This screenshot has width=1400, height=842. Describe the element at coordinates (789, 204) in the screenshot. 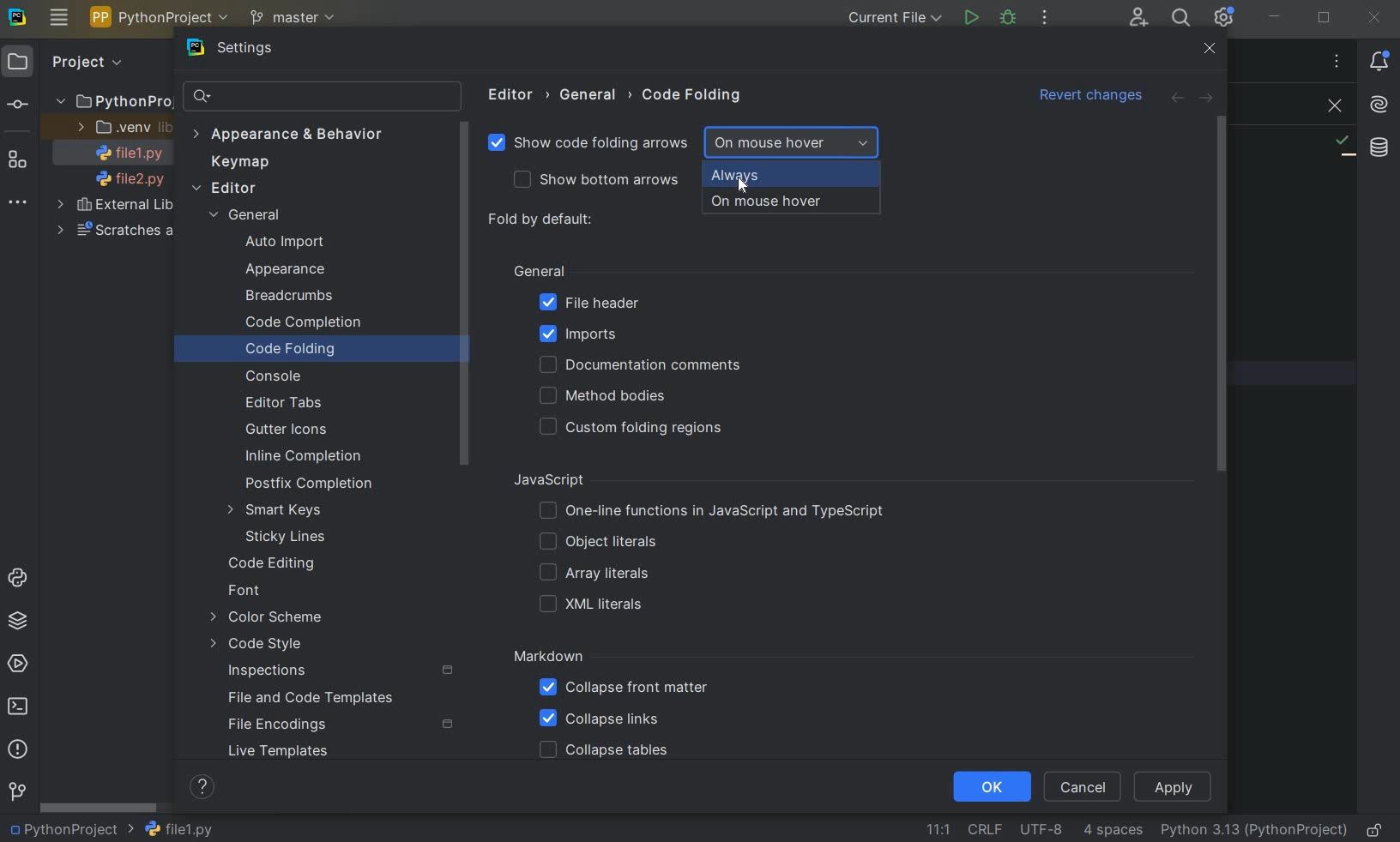

I see `ON MOUSE HOVER` at that location.